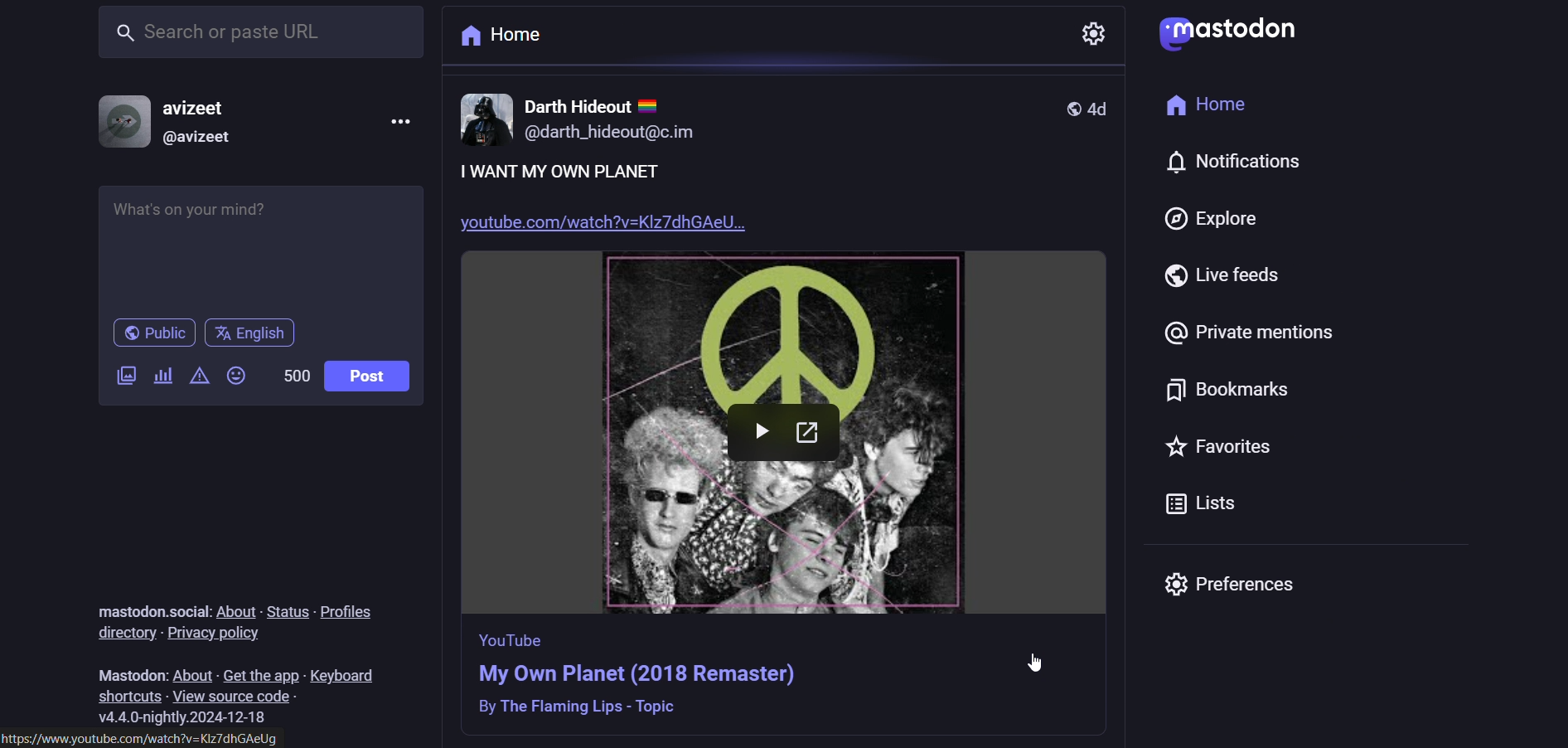  I want to click on lists, so click(1198, 504).